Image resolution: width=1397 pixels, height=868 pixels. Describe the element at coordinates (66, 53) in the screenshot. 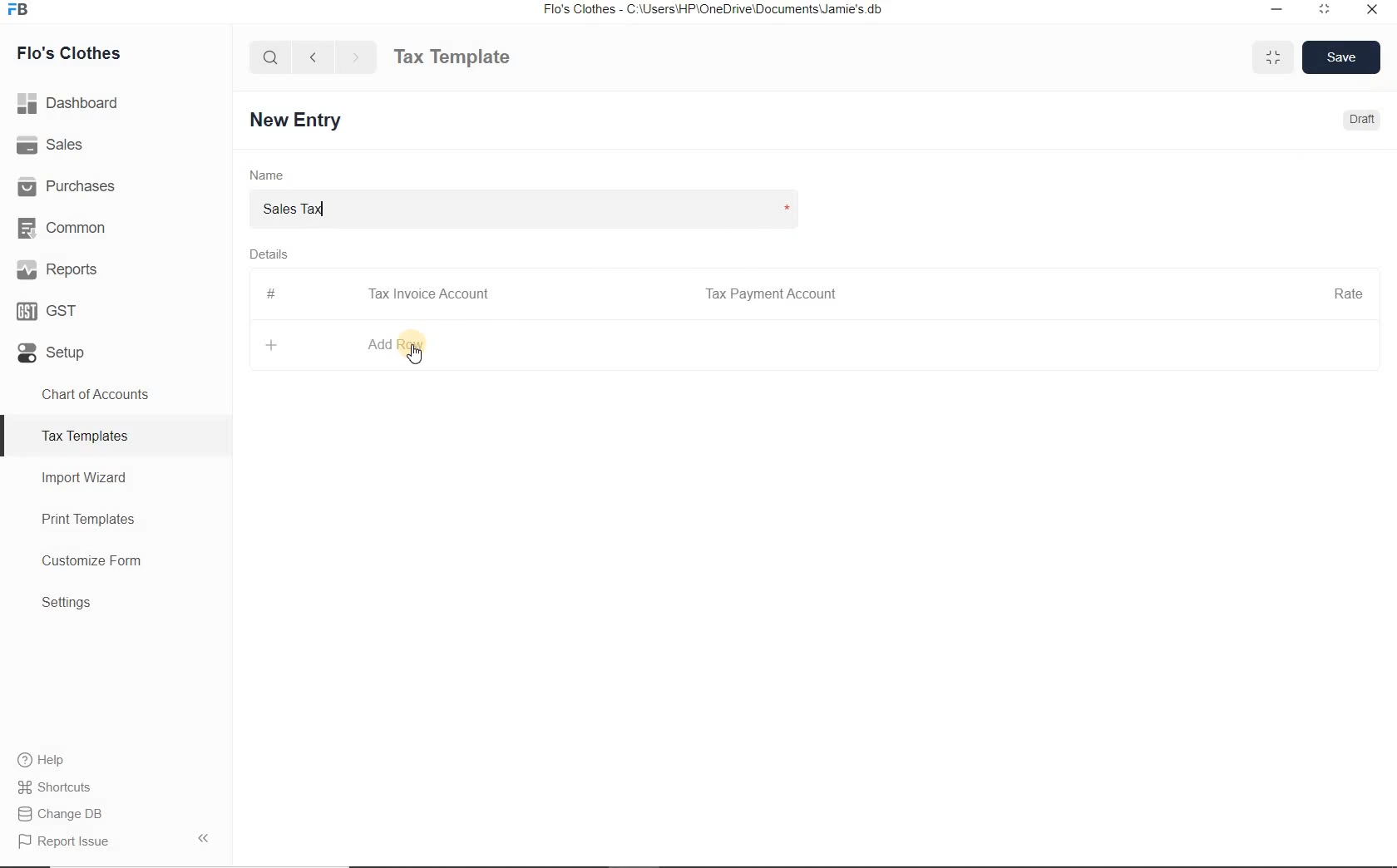

I see `Flo's Clothes` at that location.